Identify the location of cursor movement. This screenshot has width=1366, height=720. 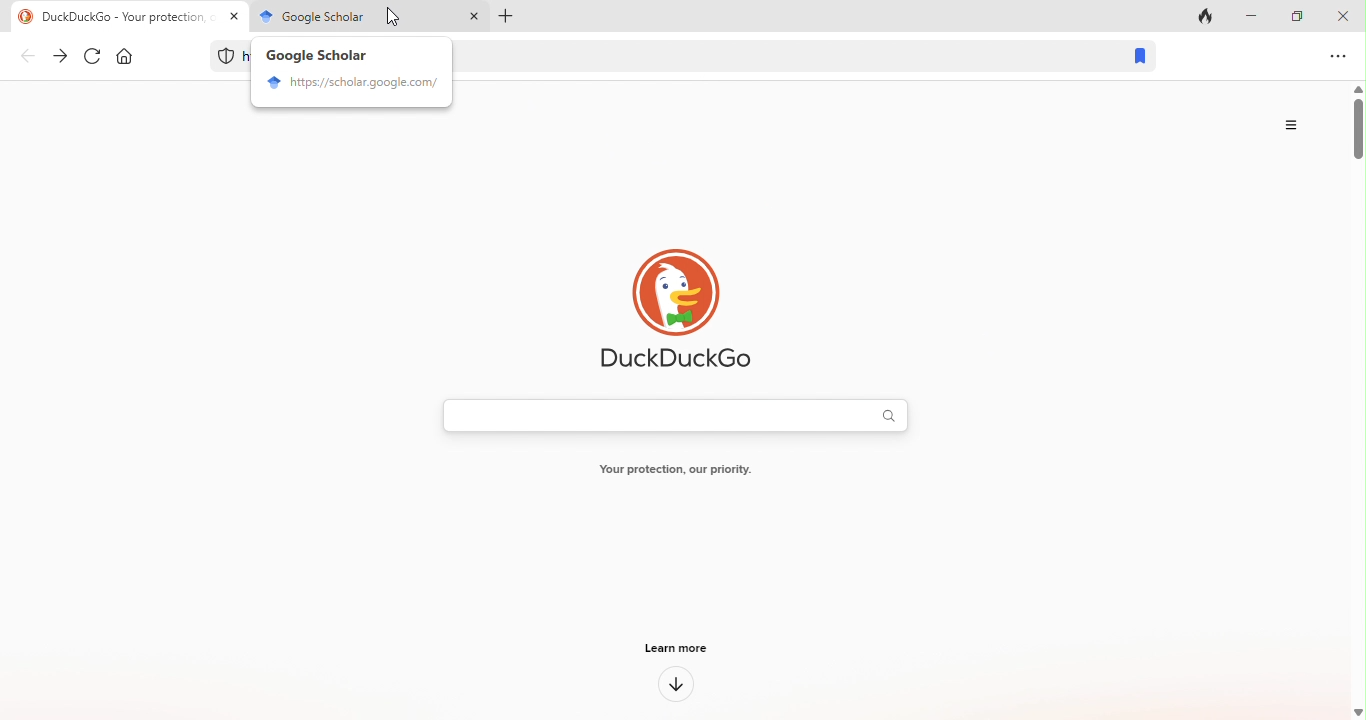
(391, 17).